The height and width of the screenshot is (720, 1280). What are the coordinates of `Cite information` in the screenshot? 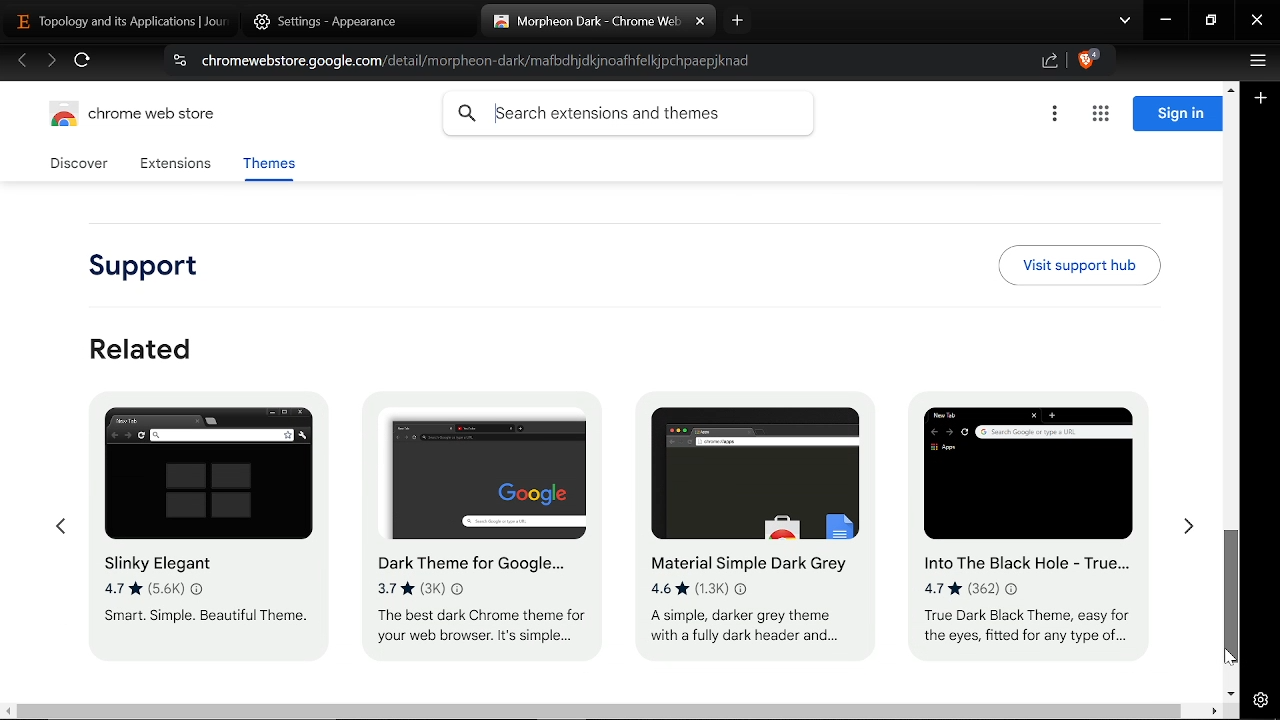 It's located at (178, 63).